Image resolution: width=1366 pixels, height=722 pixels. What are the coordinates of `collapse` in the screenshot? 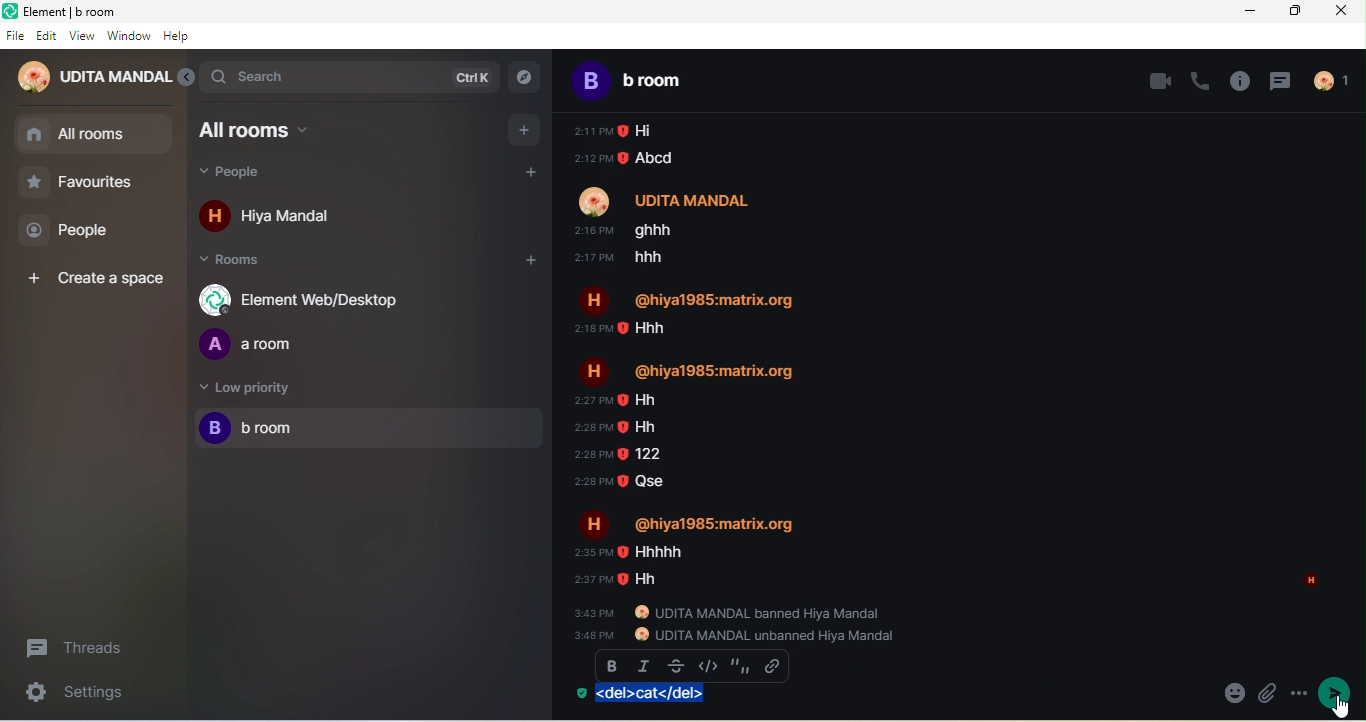 It's located at (187, 80).